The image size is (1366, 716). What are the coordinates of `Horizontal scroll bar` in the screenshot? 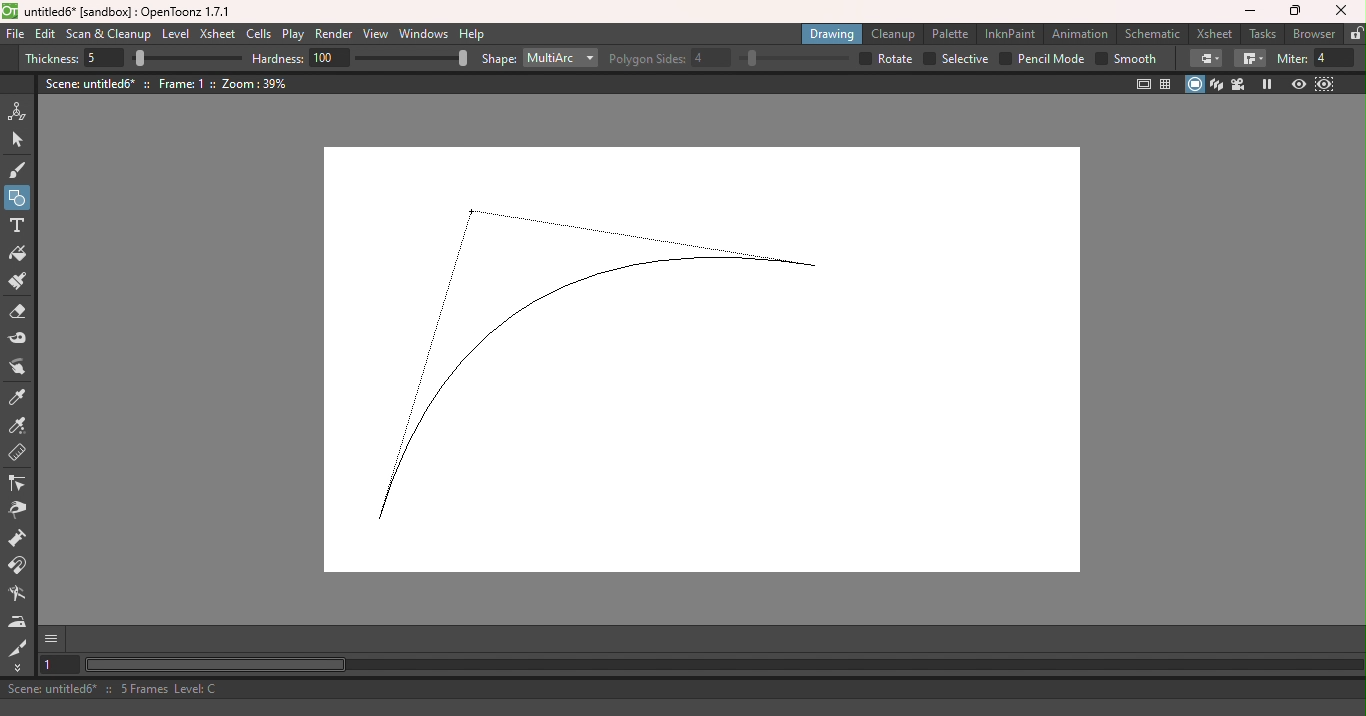 It's located at (723, 665).